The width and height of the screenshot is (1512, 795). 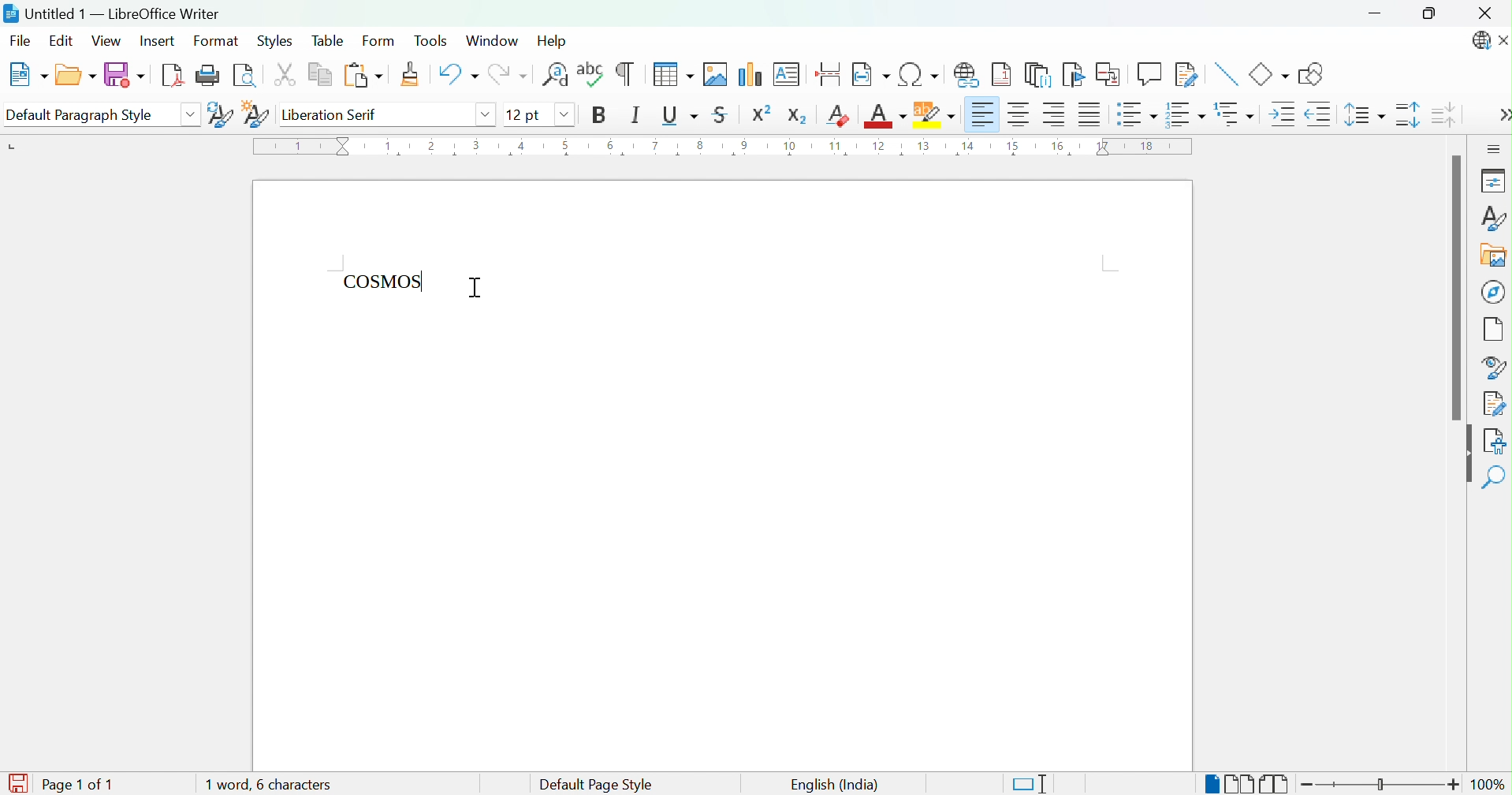 What do you see at coordinates (328, 40) in the screenshot?
I see `Table` at bounding box center [328, 40].